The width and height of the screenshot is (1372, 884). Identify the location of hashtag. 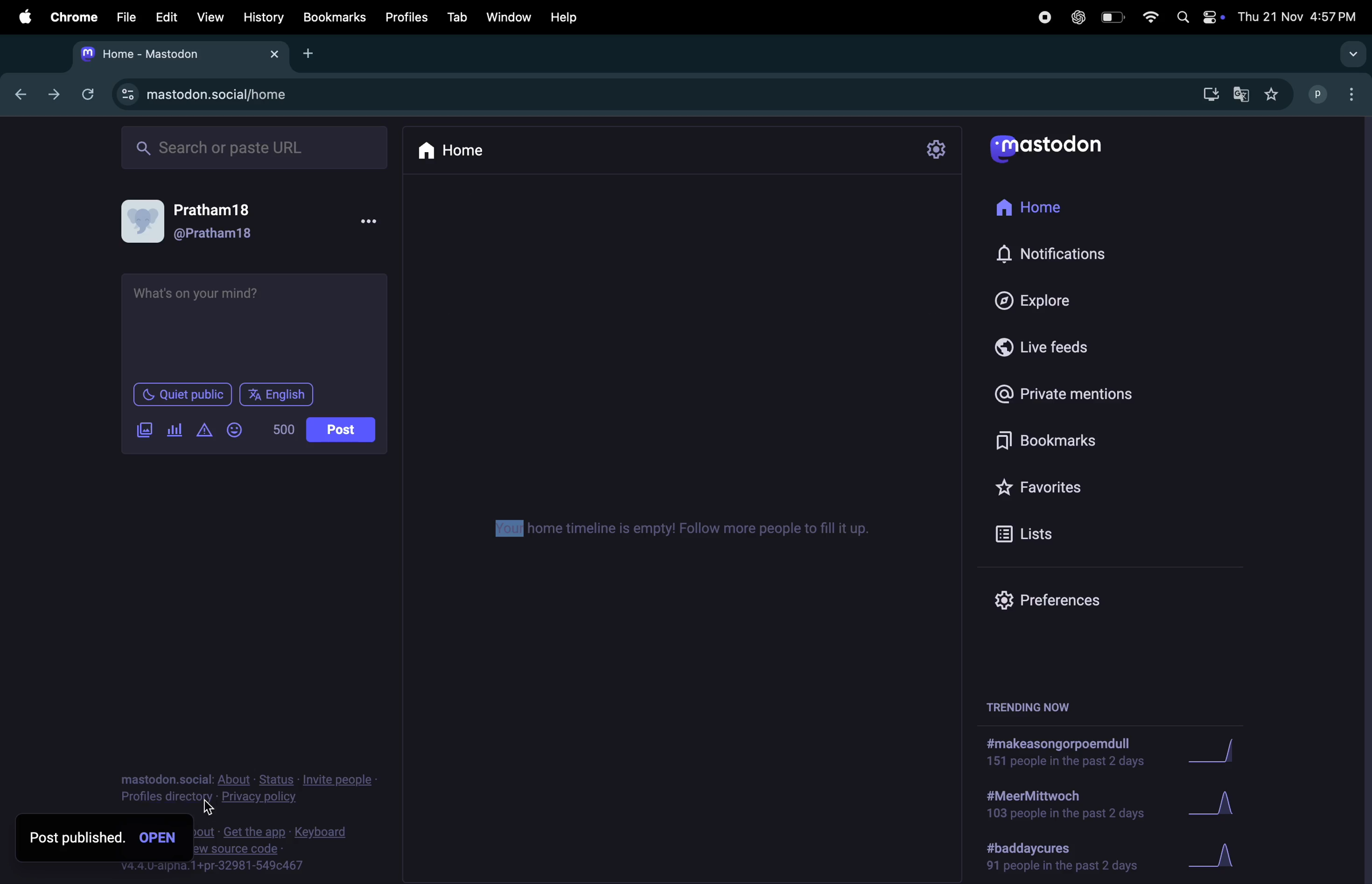
(1055, 754).